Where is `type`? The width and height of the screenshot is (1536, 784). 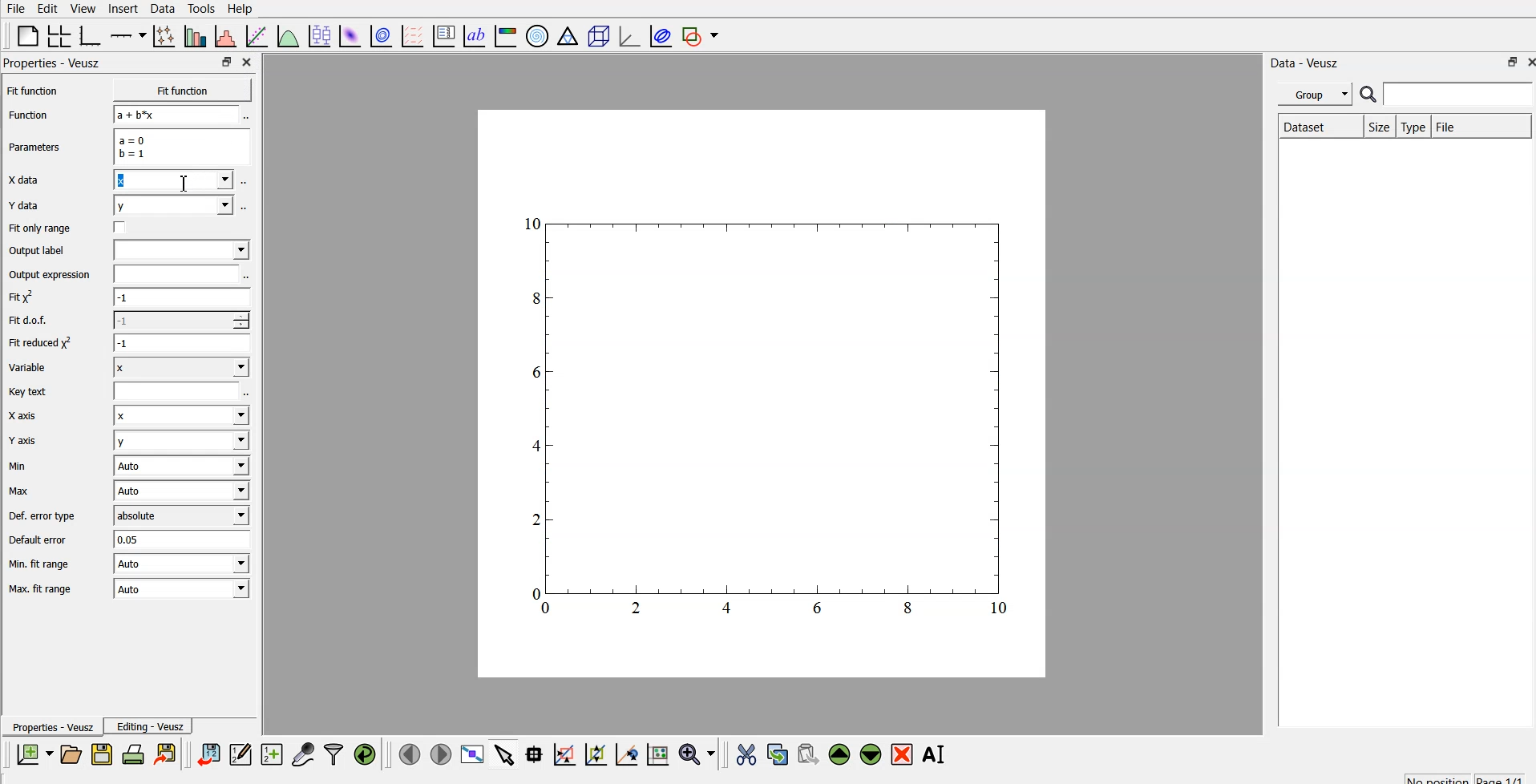 type is located at coordinates (1413, 127).